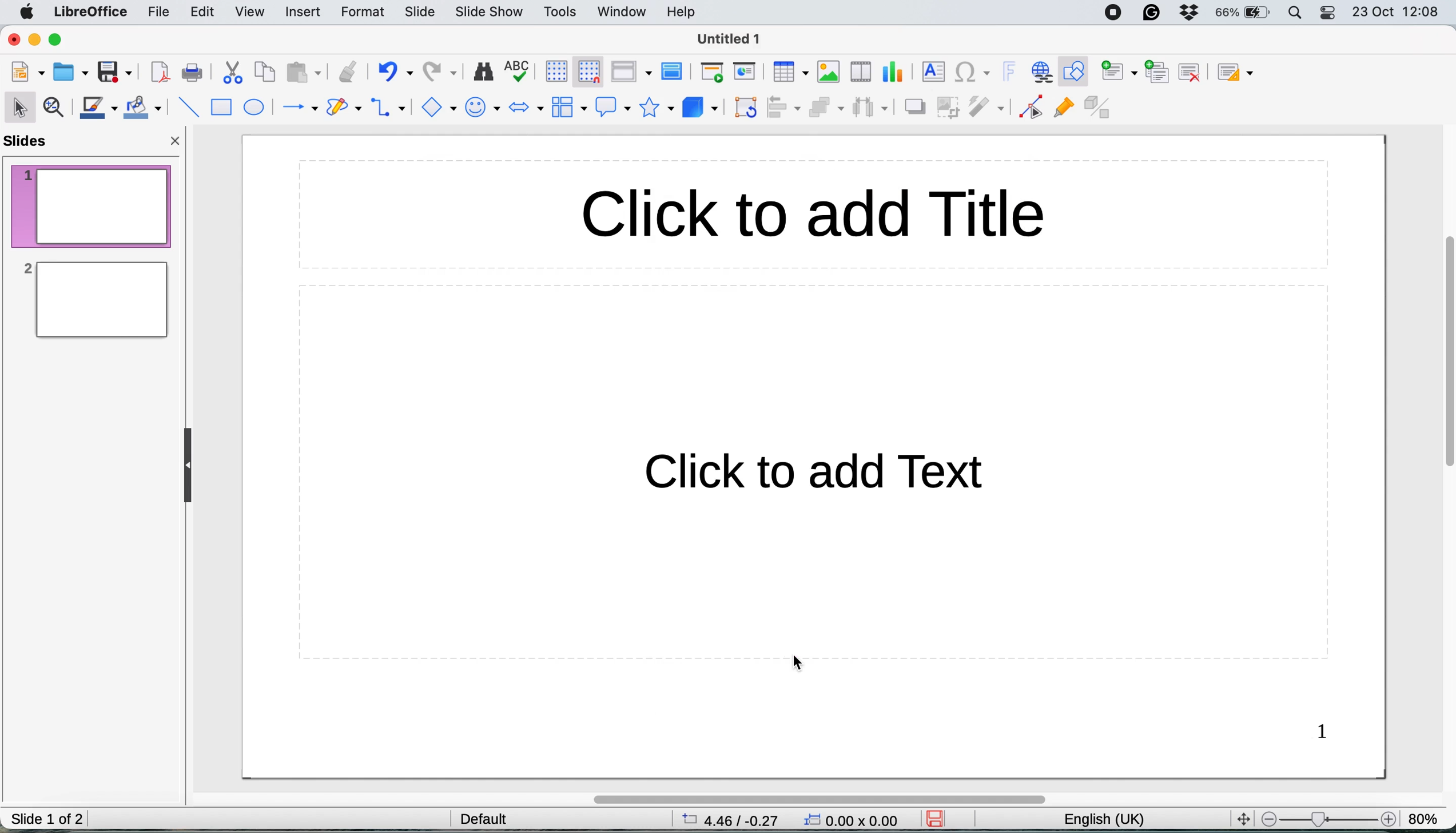 This screenshot has width=1456, height=833. I want to click on transformations, so click(747, 109).